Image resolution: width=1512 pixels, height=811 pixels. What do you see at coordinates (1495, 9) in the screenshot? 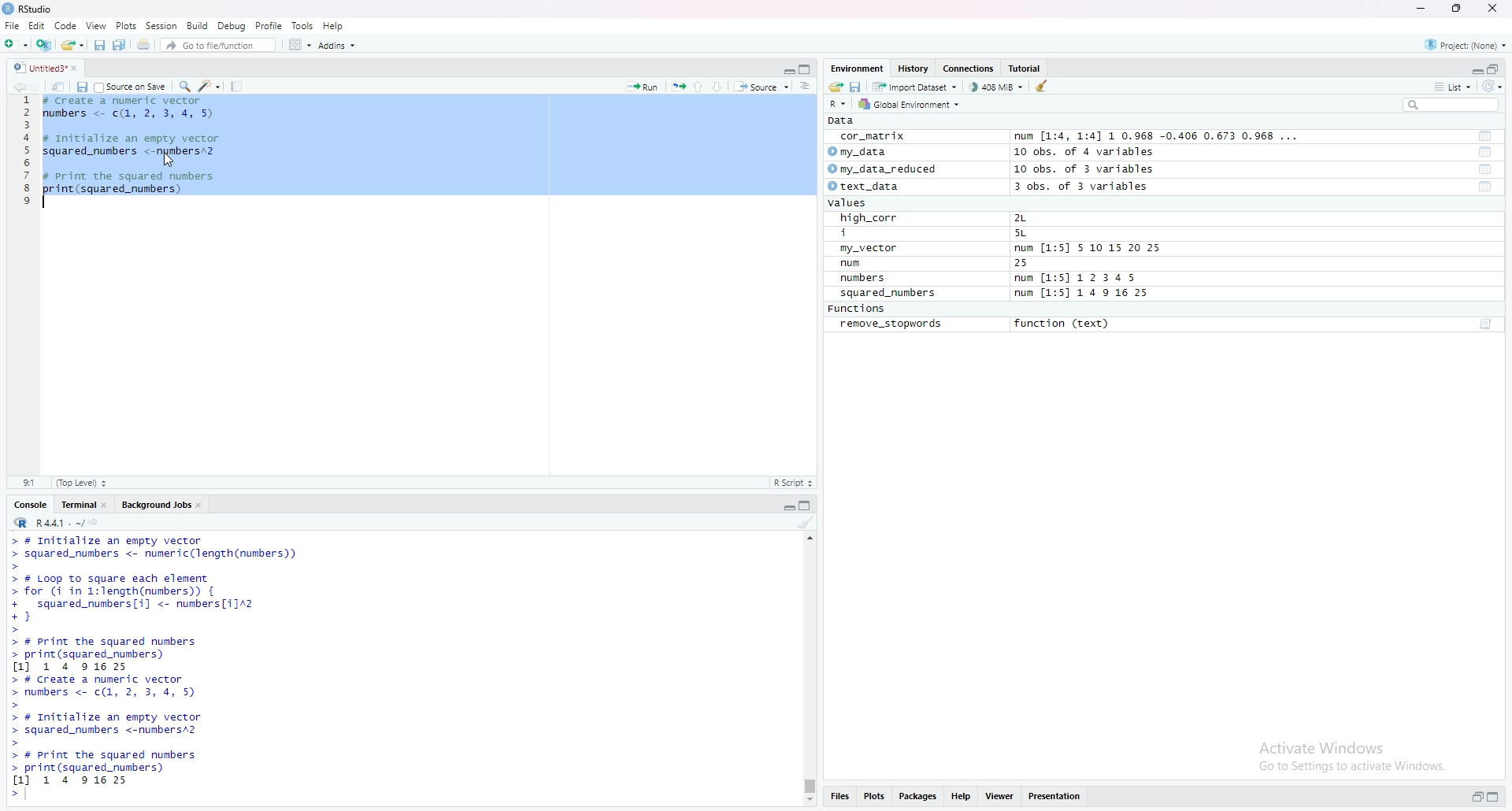
I see `close` at bounding box center [1495, 9].